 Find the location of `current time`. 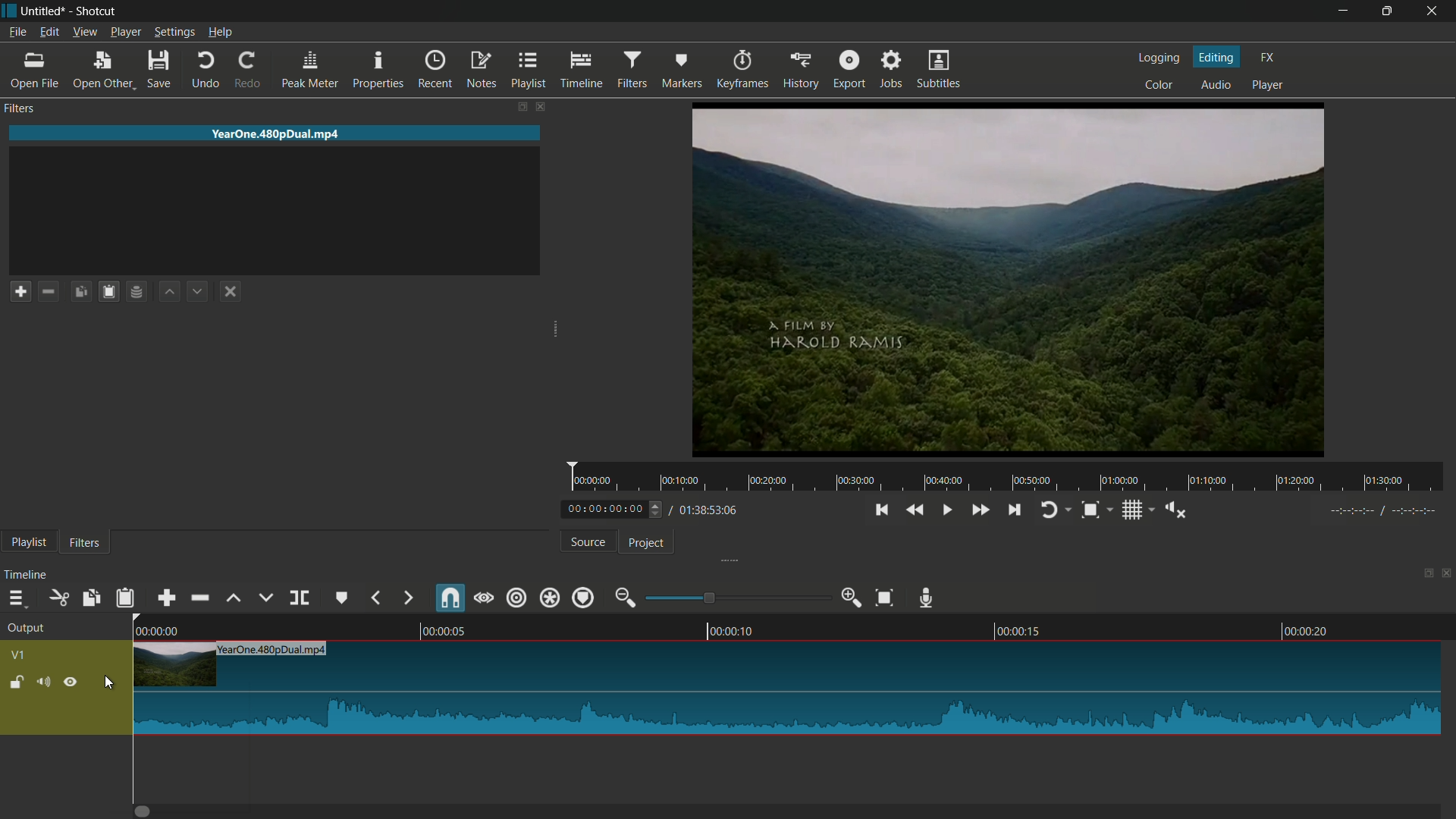

current time is located at coordinates (604, 509).